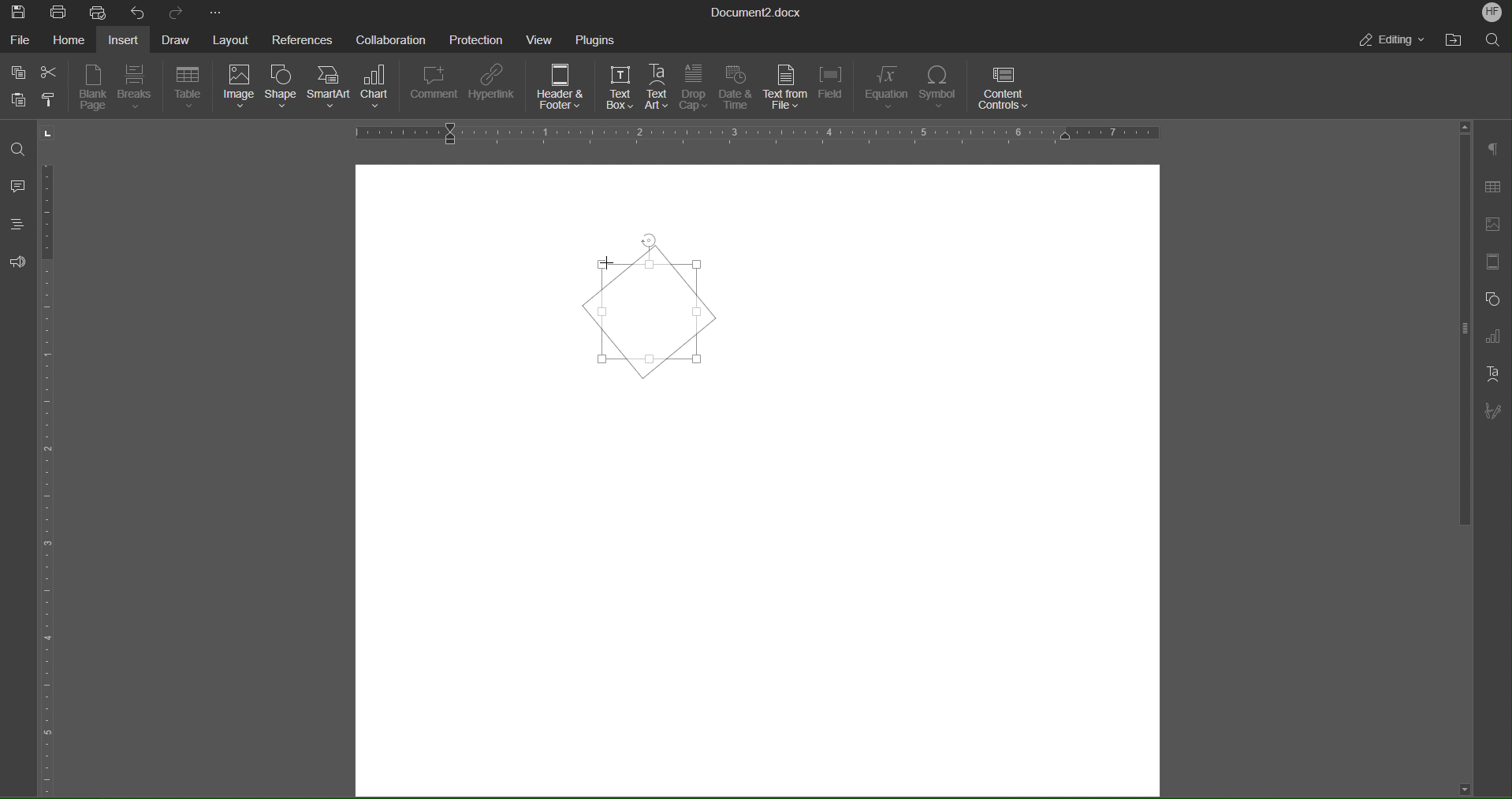 Image resolution: width=1512 pixels, height=799 pixels. Describe the element at coordinates (68, 39) in the screenshot. I see `Home` at that location.